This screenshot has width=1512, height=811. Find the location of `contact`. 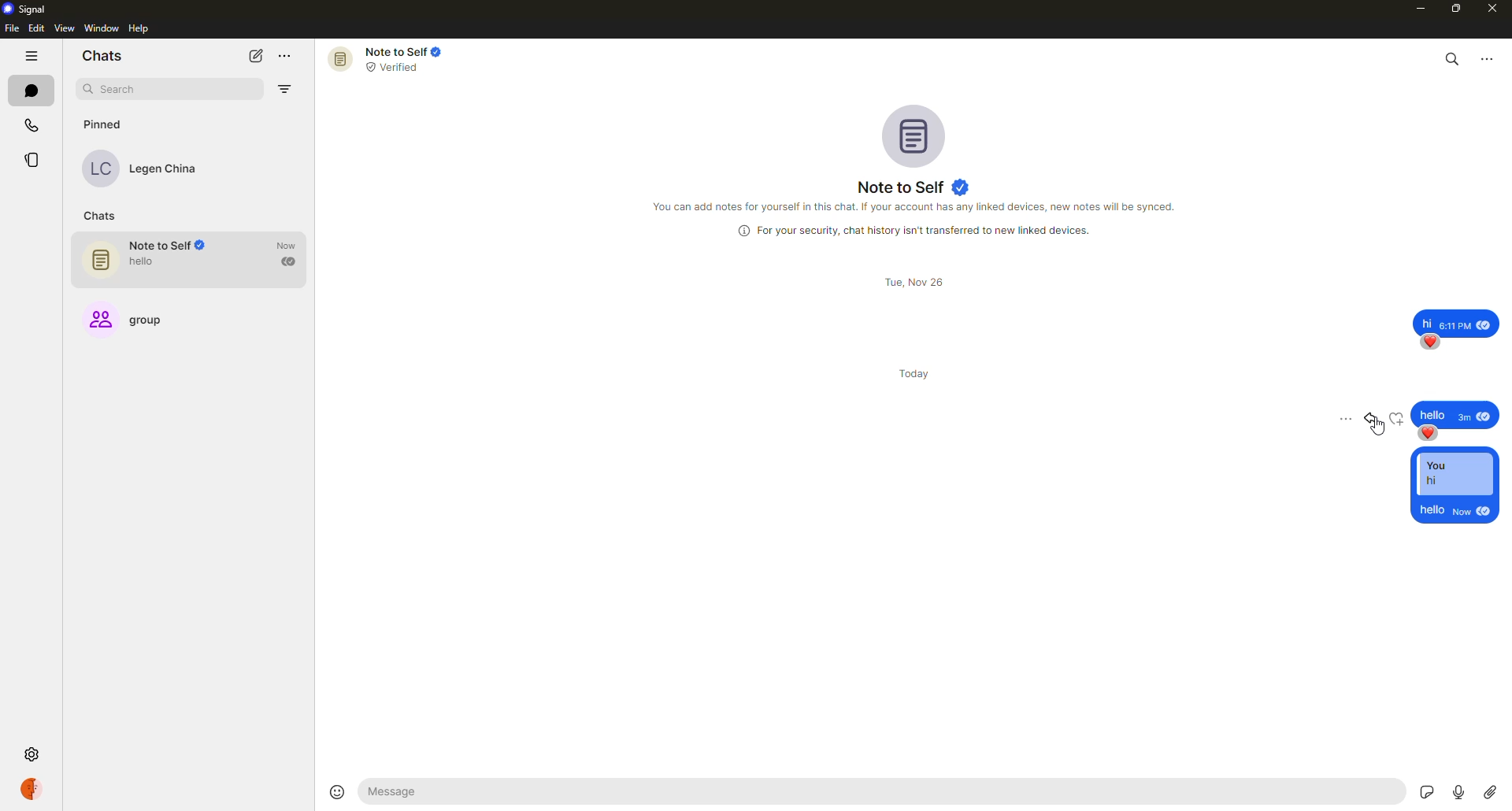

contact is located at coordinates (151, 168).